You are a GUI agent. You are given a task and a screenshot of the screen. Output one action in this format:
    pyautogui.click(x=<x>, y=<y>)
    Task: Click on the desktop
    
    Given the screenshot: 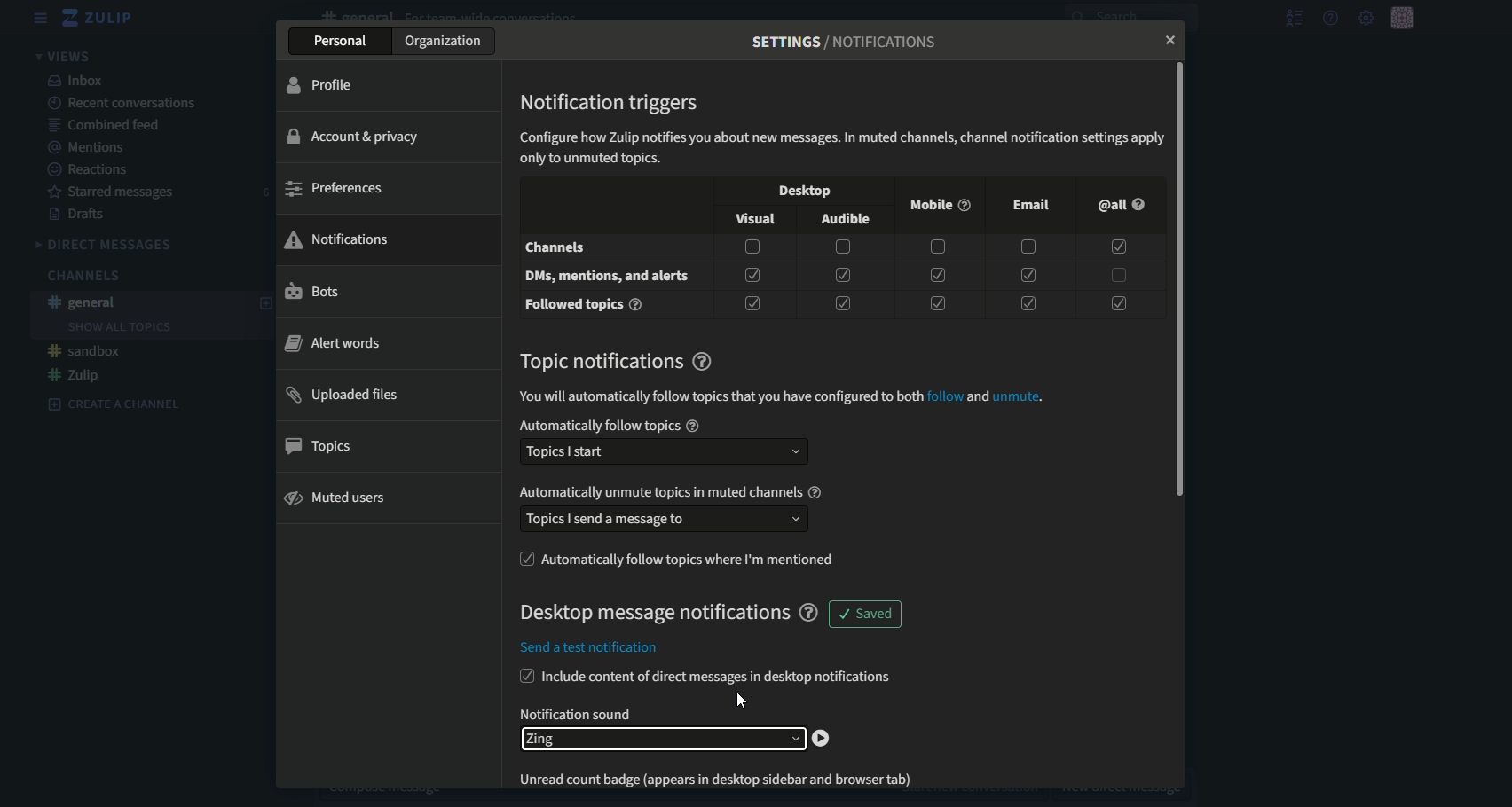 What is the action you would take?
    pyautogui.click(x=801, y=192)
    